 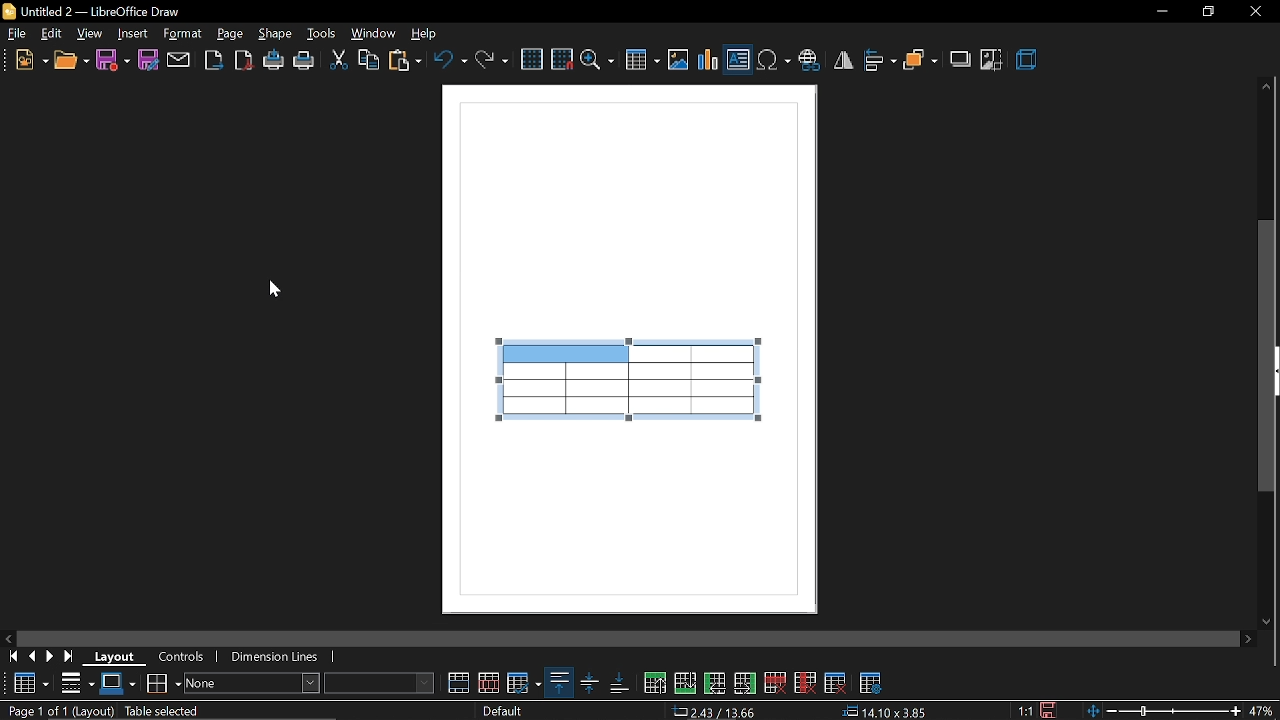 I want to click on merge cells, so click(x=458, y=683).